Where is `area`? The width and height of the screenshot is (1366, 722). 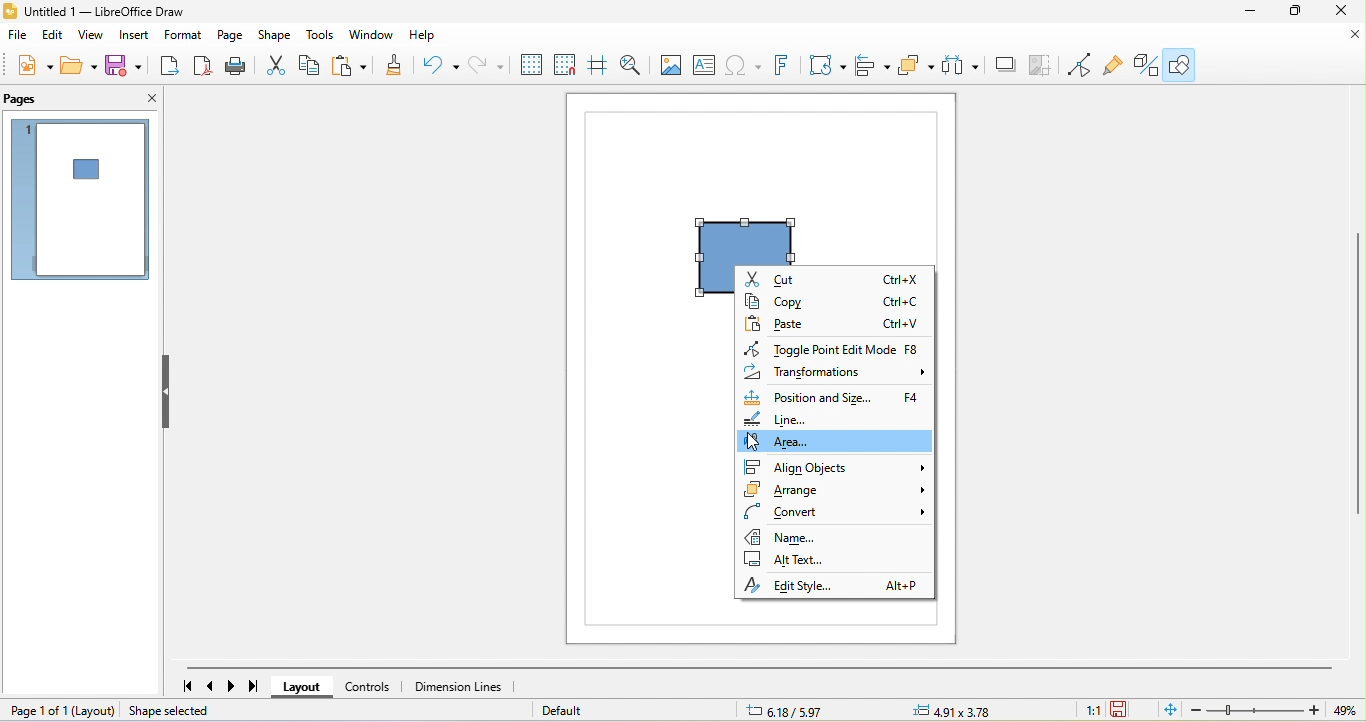 area is located at coordinates (836, 443).